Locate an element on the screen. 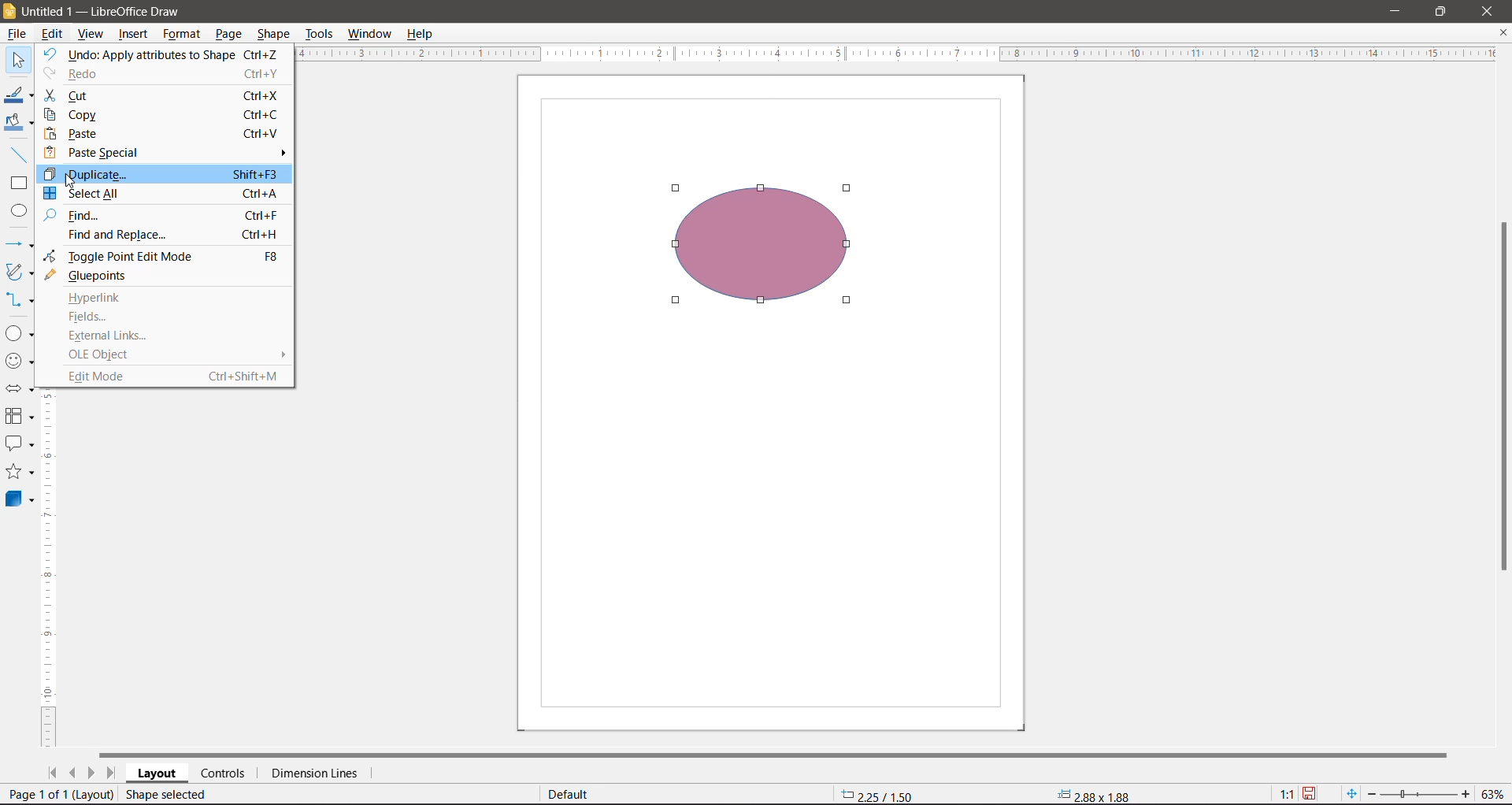 The image size is (1512, 805). Tools is located at coordinates (319, 35).